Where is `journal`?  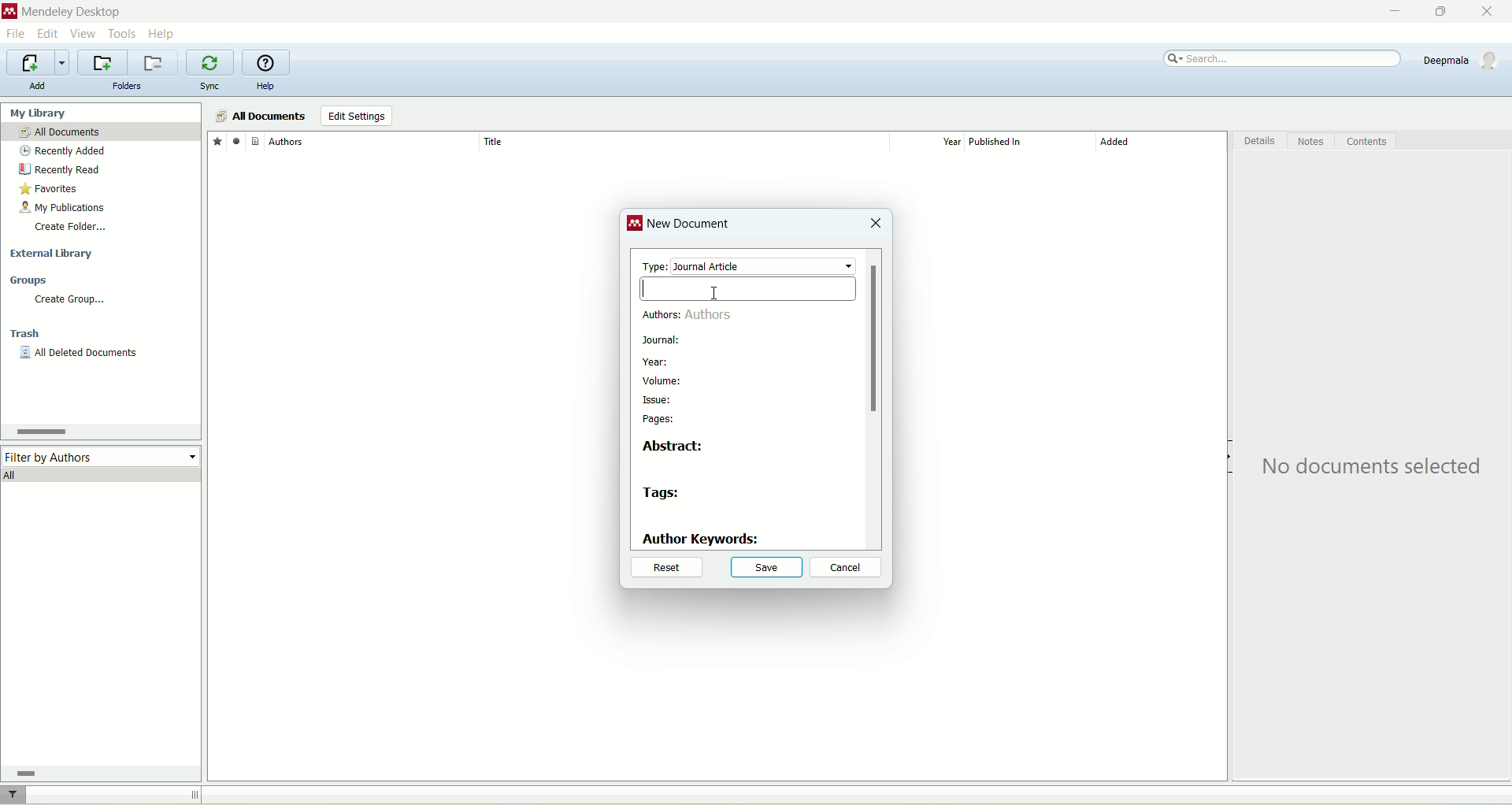
journal is located at coordinates (662, 340).